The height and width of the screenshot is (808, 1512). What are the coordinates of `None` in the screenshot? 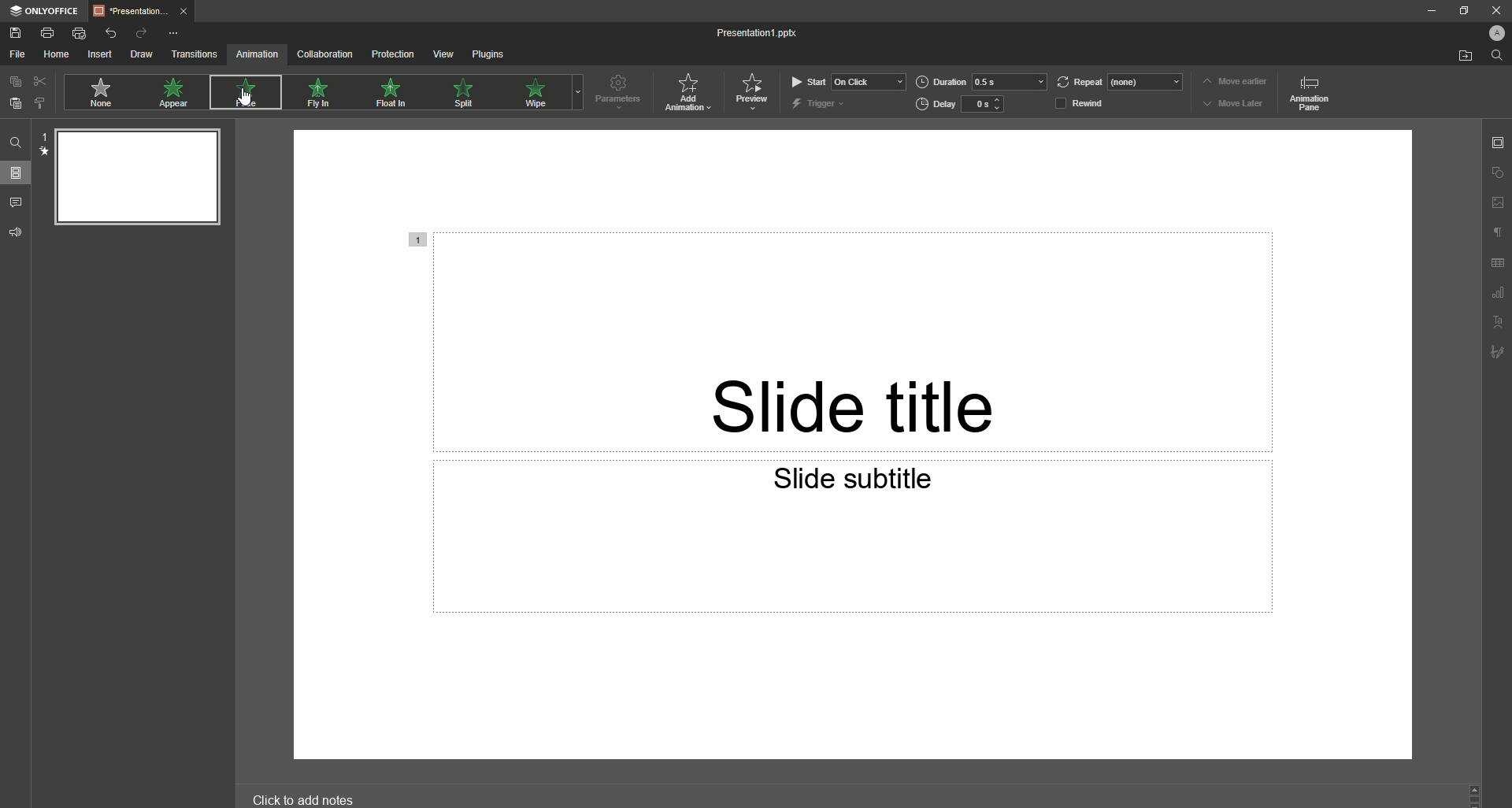 It's located at (99, 93).